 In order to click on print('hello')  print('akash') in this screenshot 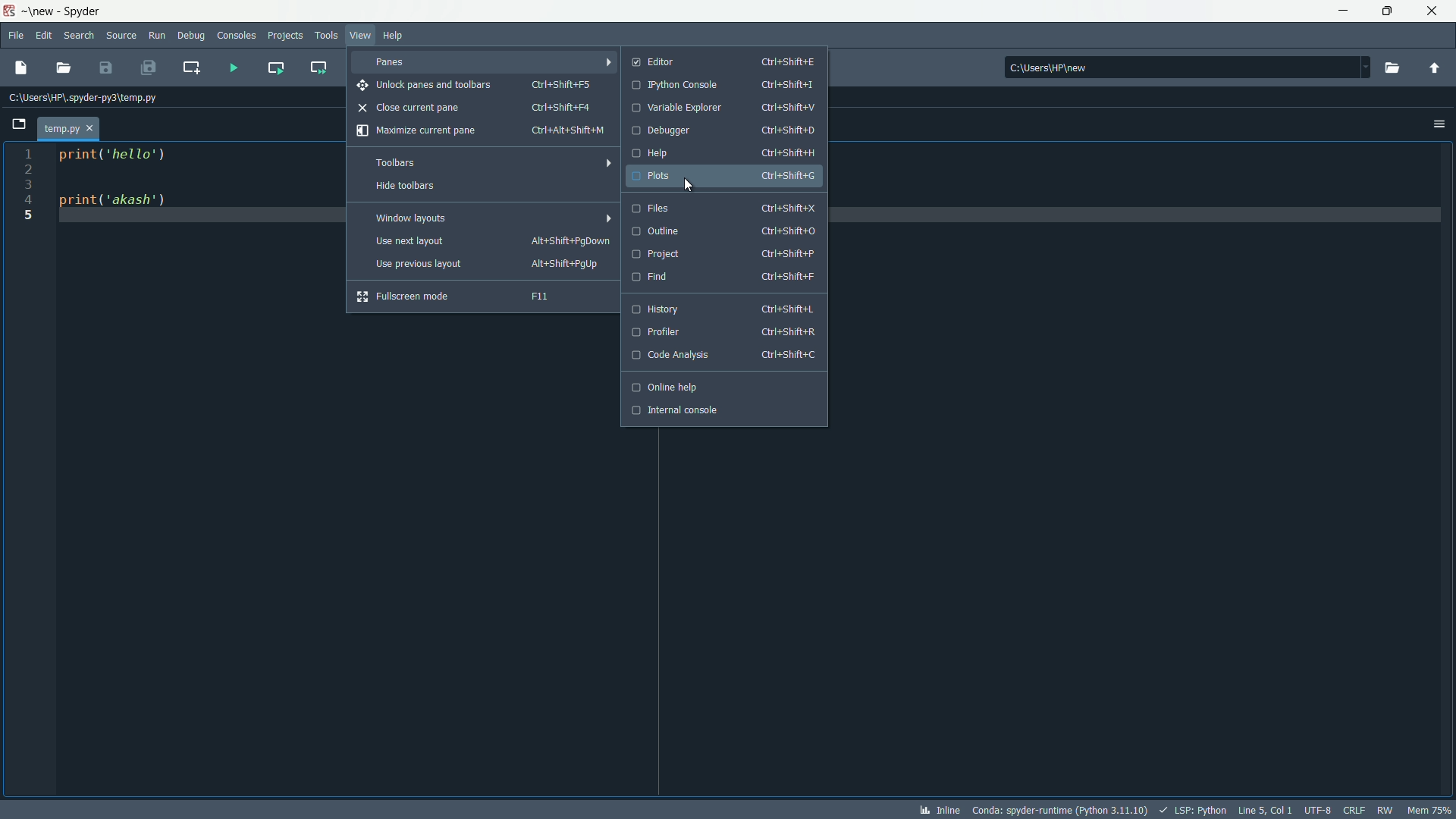, I will do `click(182, 225)`.